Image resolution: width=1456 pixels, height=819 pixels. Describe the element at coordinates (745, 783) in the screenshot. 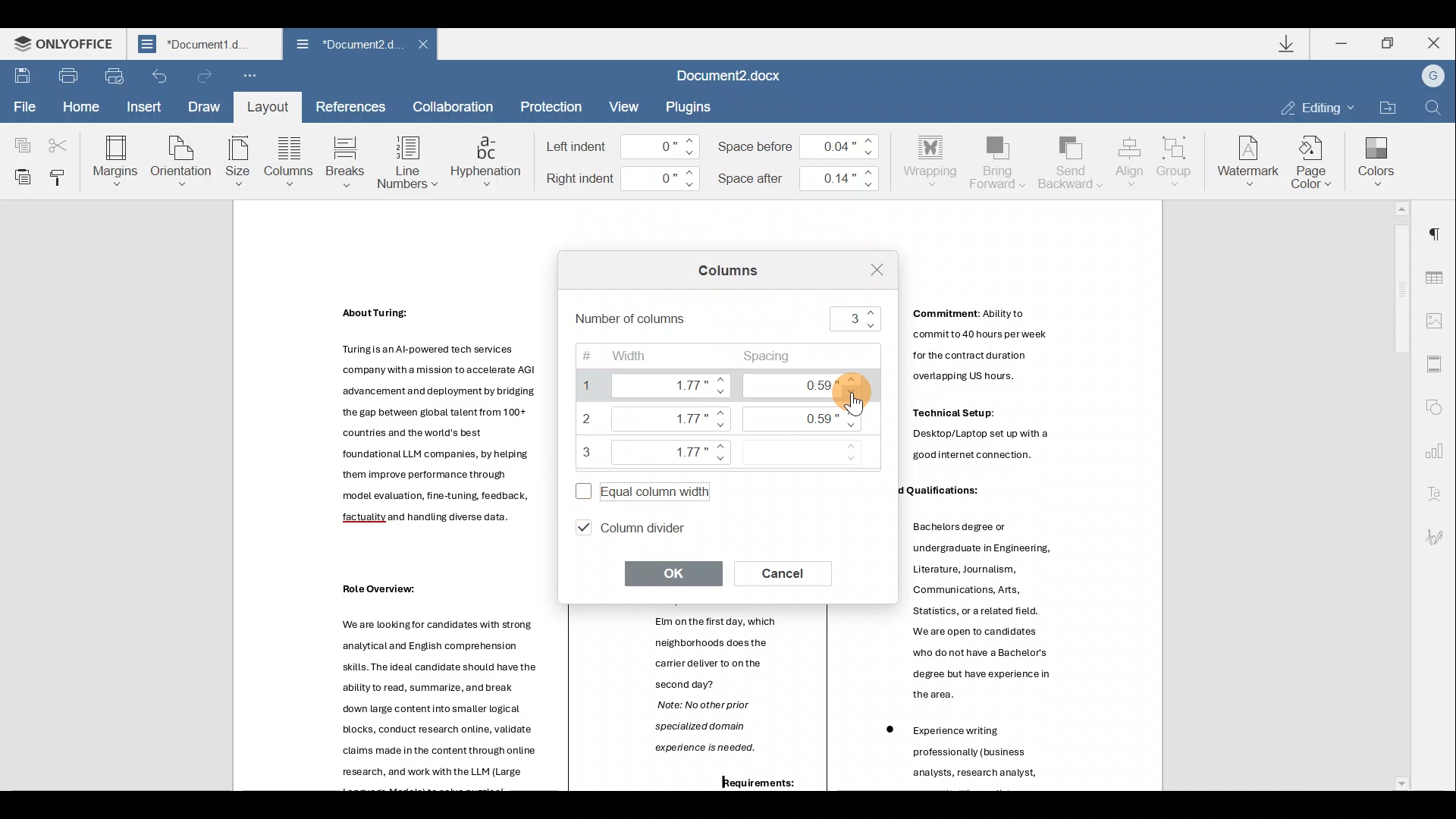

I see `` at that location.